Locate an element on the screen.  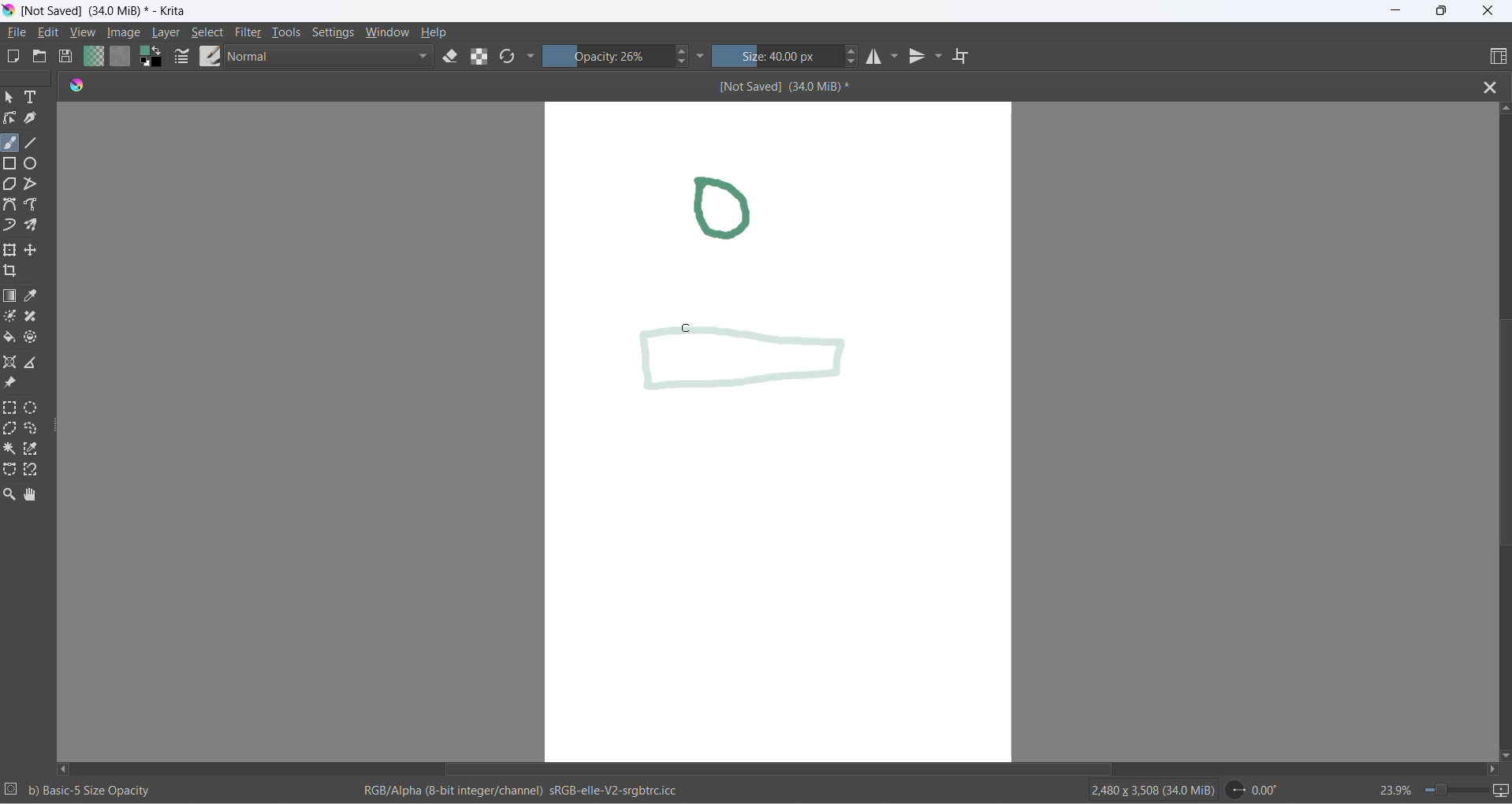
layer is located at coordinates (167, 32).